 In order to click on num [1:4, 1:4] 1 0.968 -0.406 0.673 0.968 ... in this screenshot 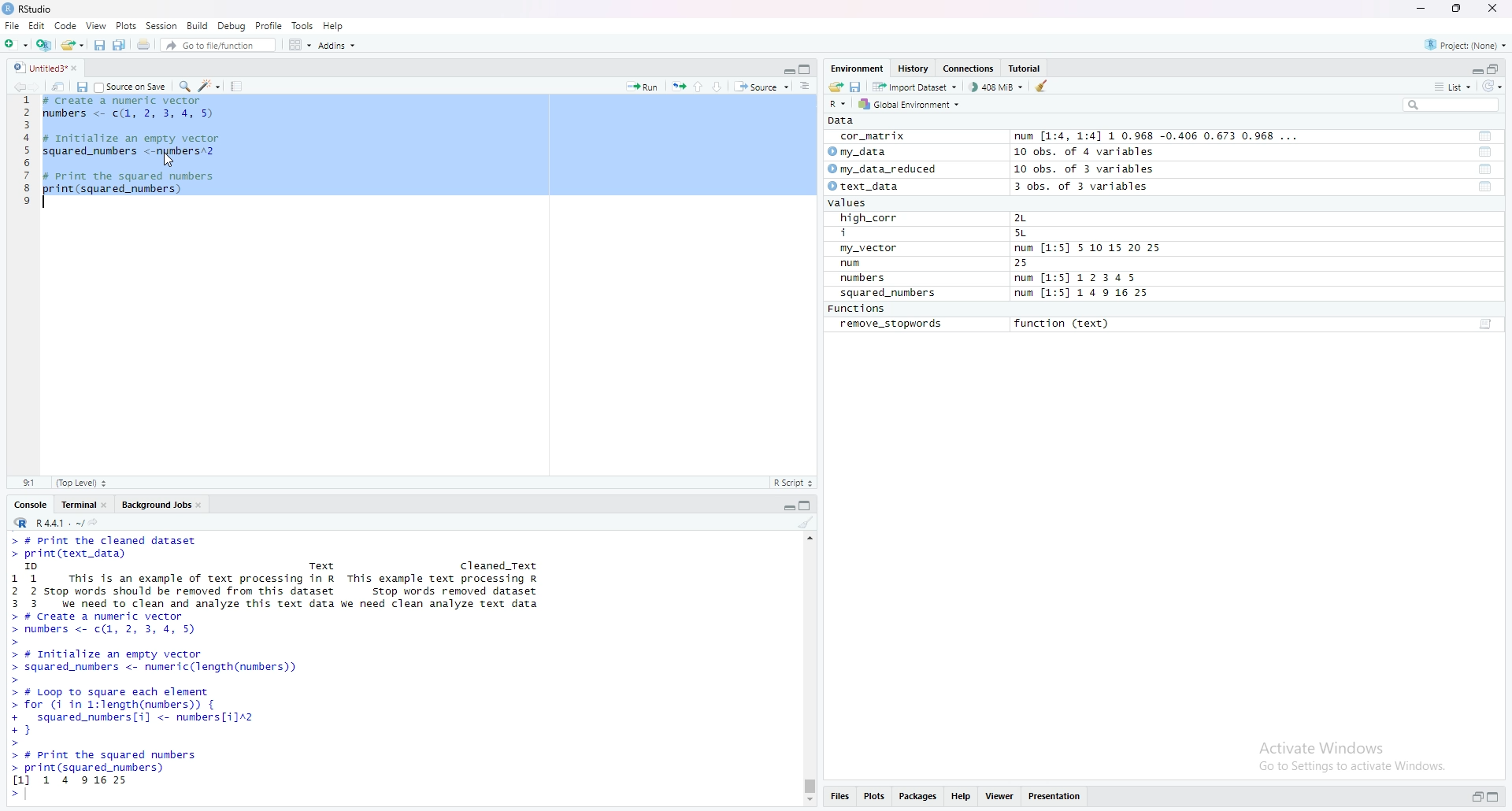, I will do `click(1158, 137)`.